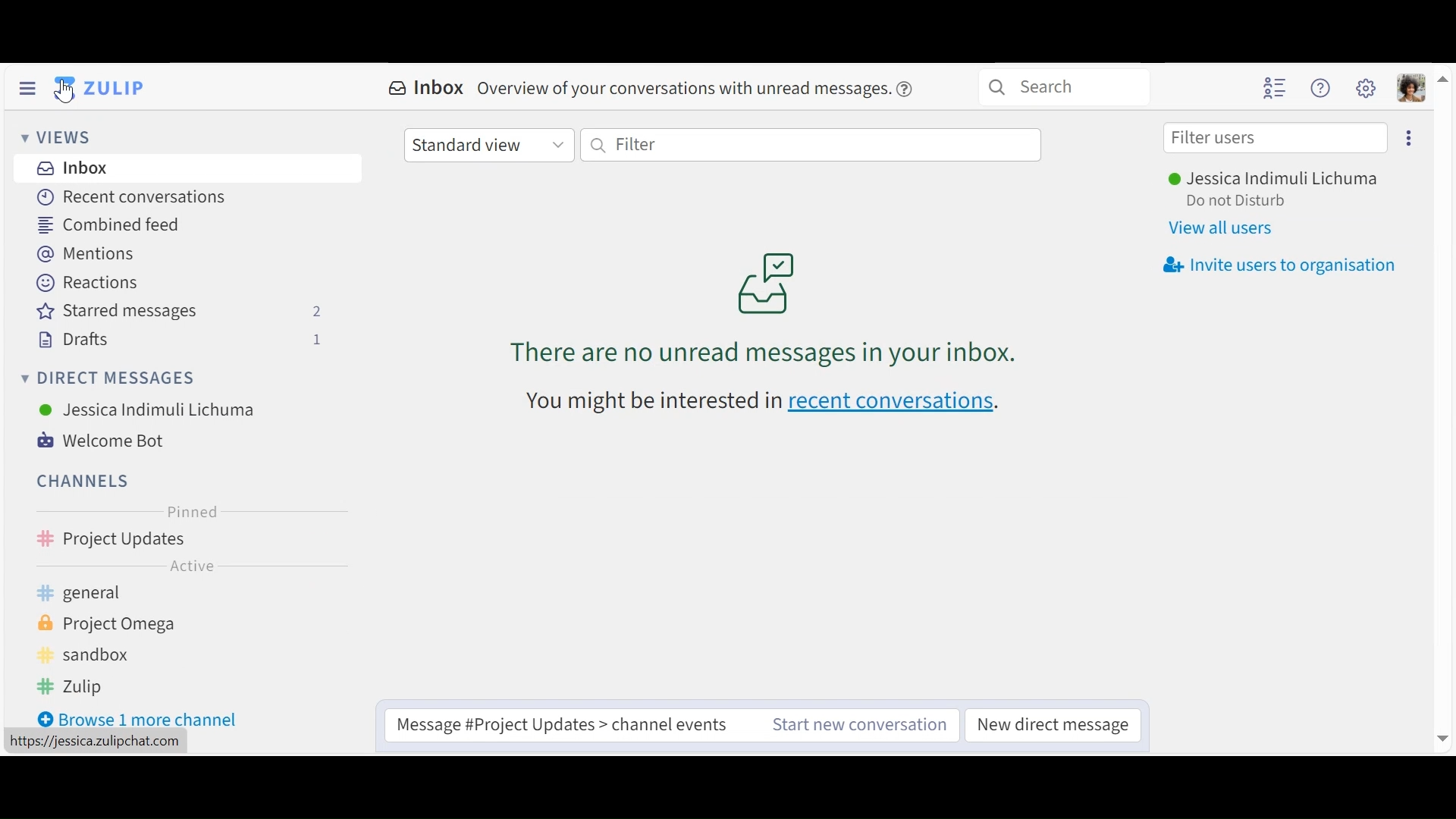 This screenshot has width=1456, height=819. Describe the element at coordinates (1276, 140) in the screenshot. I see `Filter users` at that location.